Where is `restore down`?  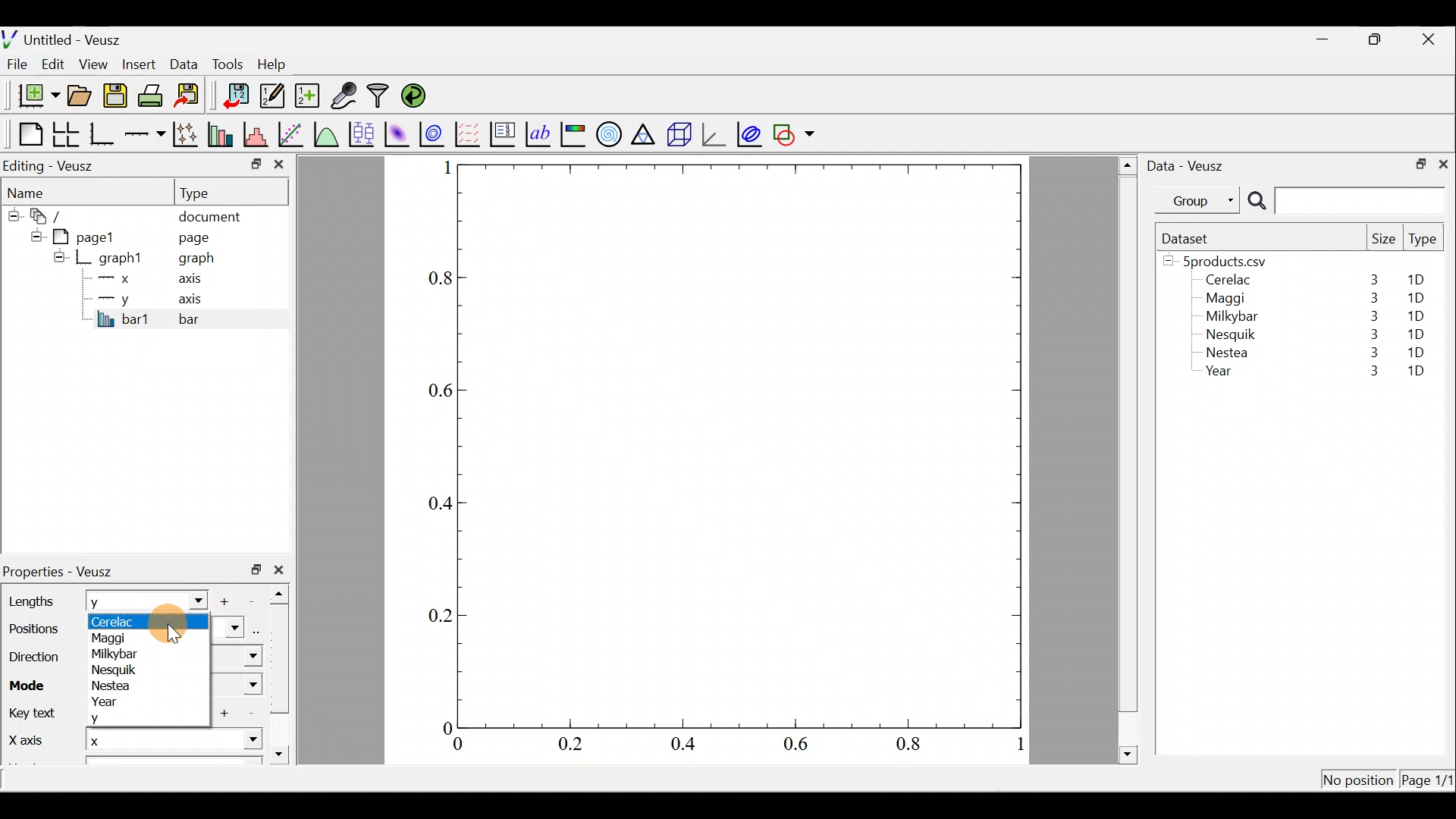 restore down is located at coordinates (1416, 162).